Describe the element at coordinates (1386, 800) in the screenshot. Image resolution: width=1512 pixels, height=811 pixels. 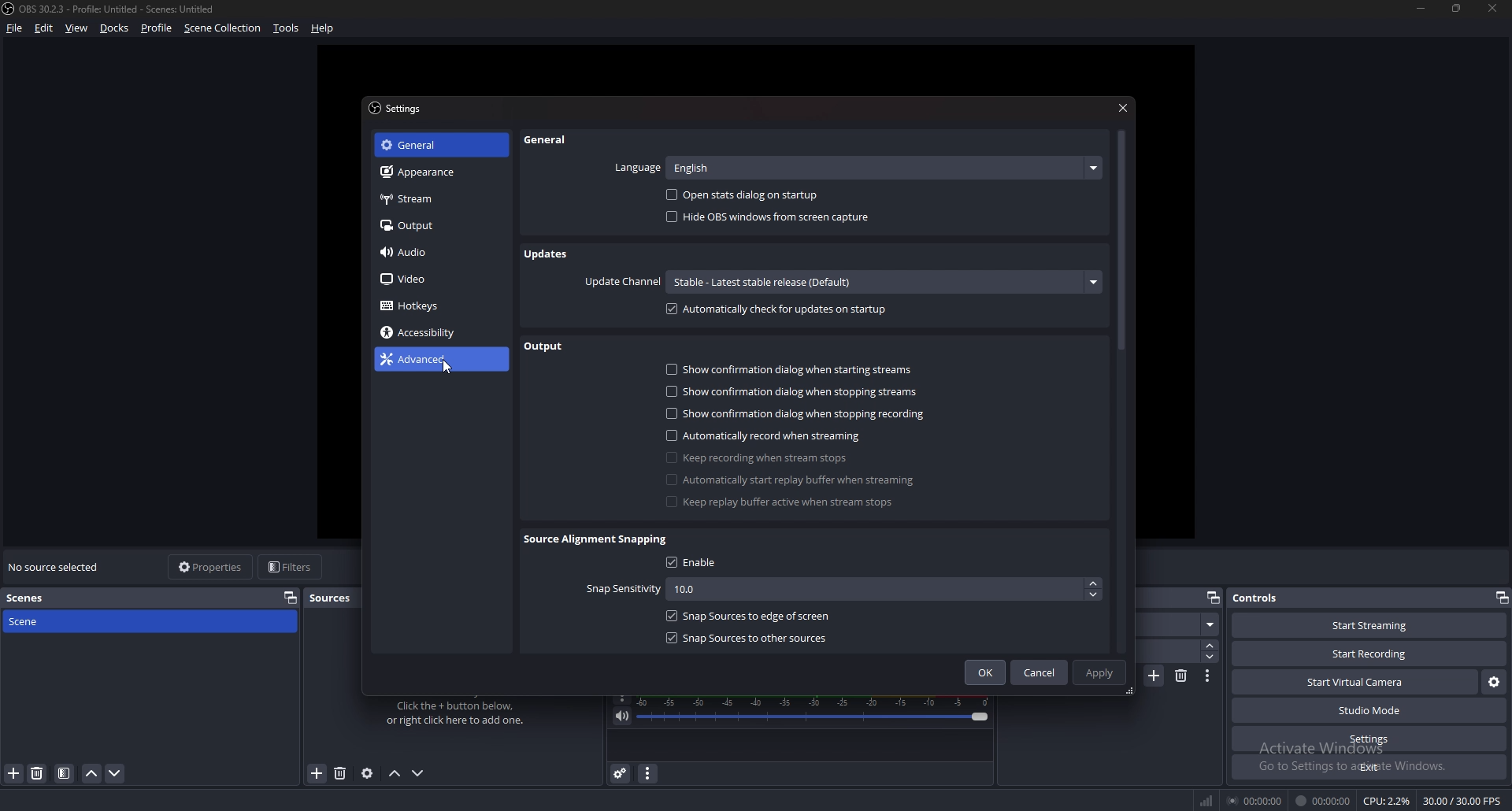
I see `CPU: 0.5%` at that location.